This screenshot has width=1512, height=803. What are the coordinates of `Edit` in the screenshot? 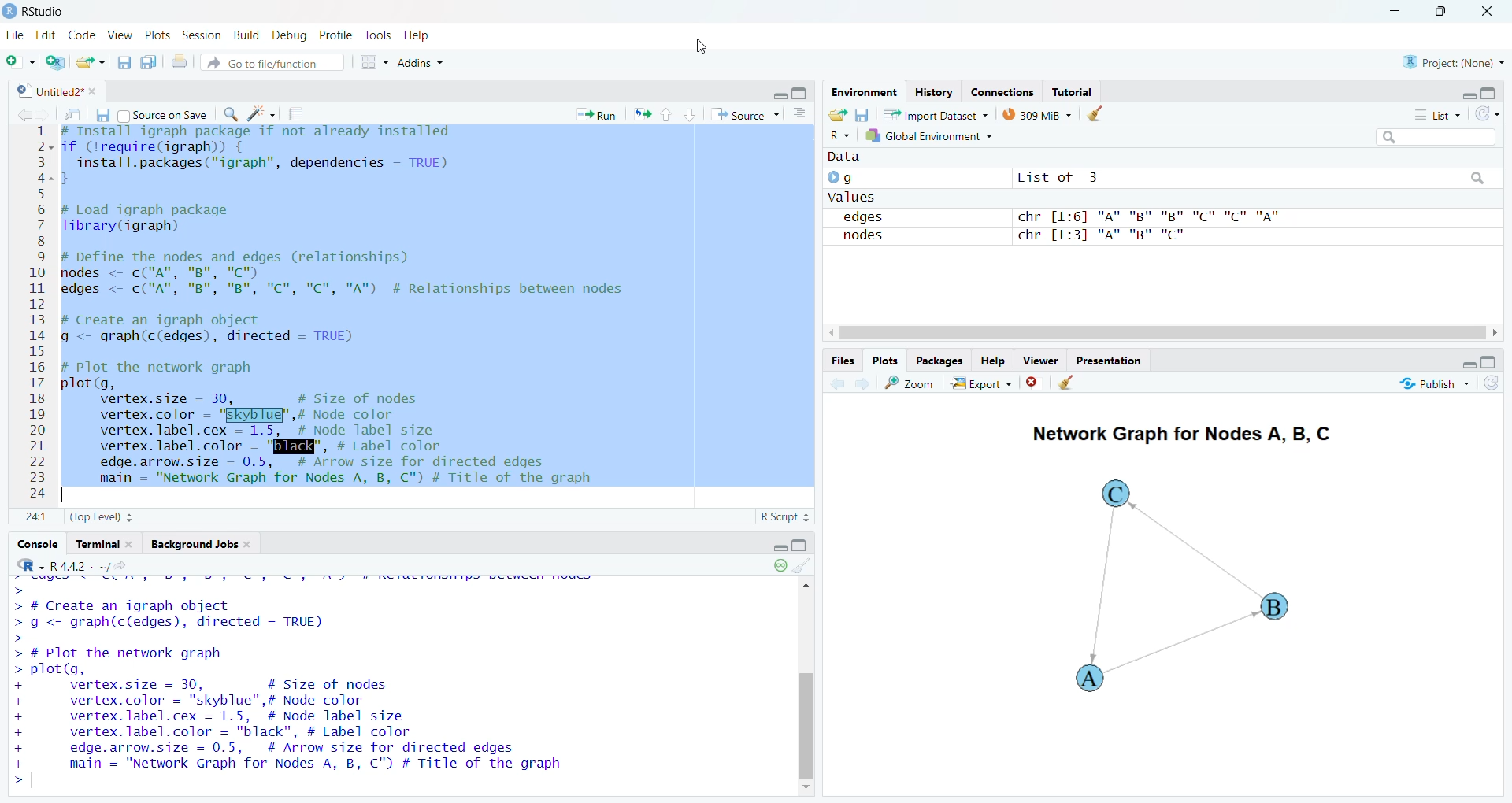 It's located at (46, 37).